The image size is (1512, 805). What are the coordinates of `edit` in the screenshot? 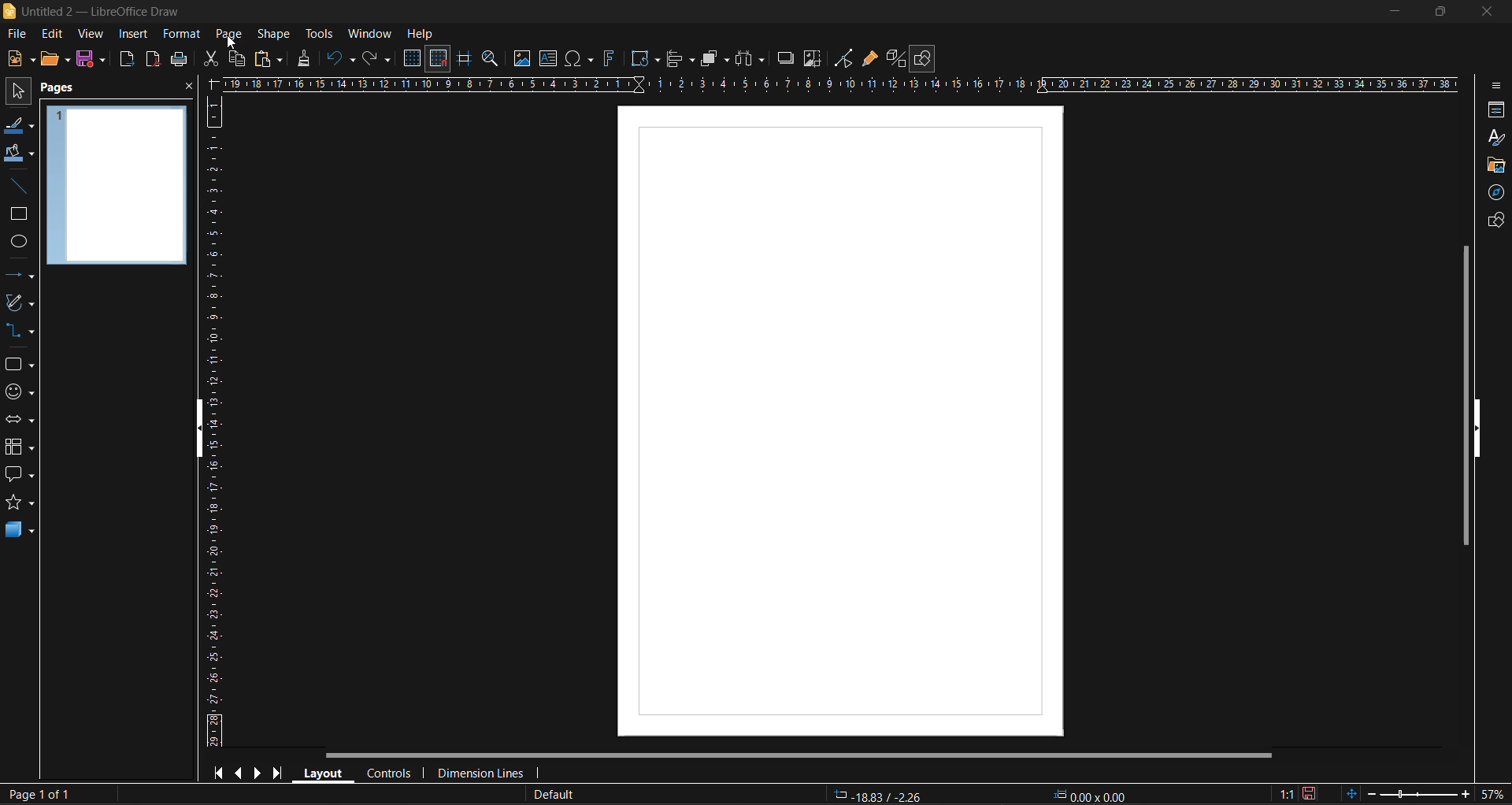 It's located at (53, 33).